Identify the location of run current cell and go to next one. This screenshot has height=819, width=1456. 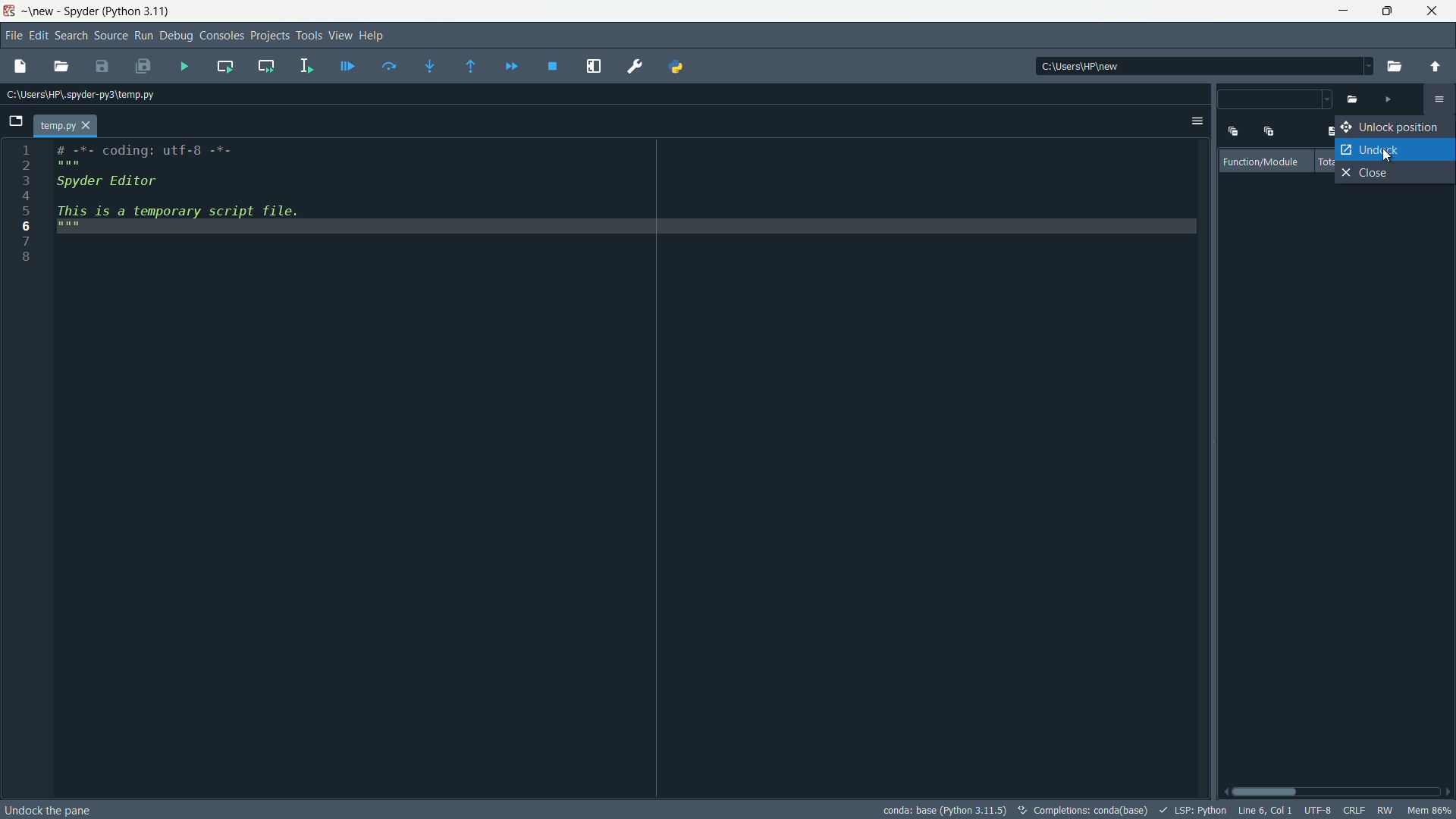
(266, 67).